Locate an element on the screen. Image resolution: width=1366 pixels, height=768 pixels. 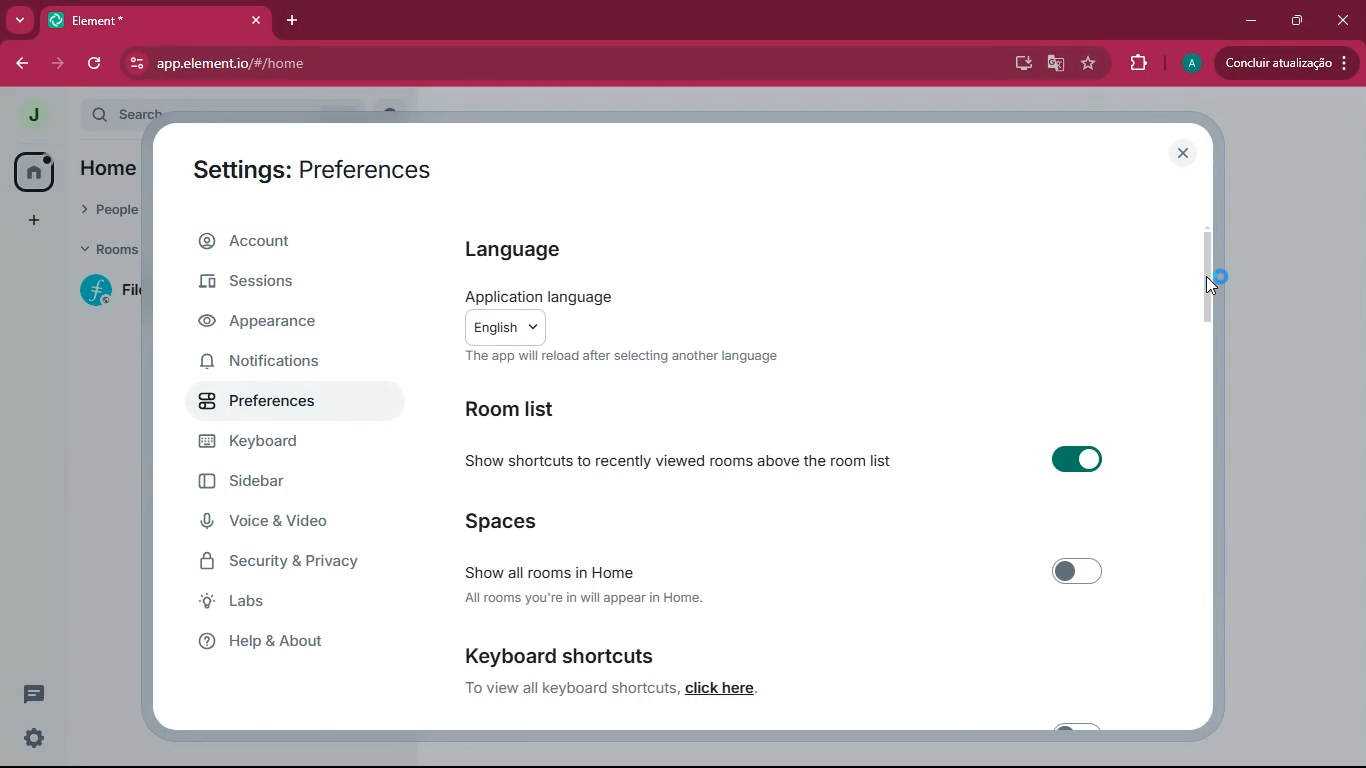
Notifications is located at coordinates (269, 368).